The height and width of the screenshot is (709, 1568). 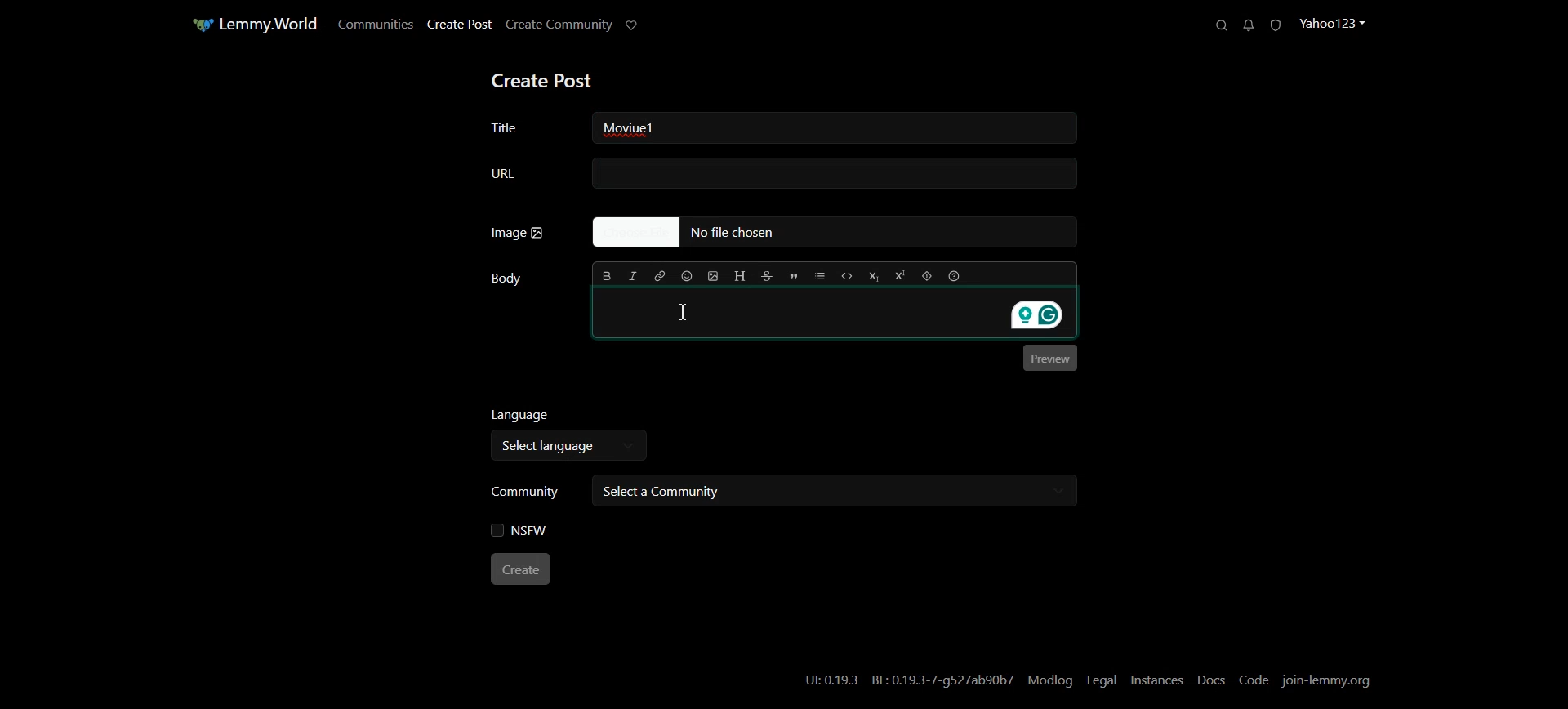 What do you see at coordinates (526, 489) in the screenshot?
I see `Community` at bounding box center [526, 489].